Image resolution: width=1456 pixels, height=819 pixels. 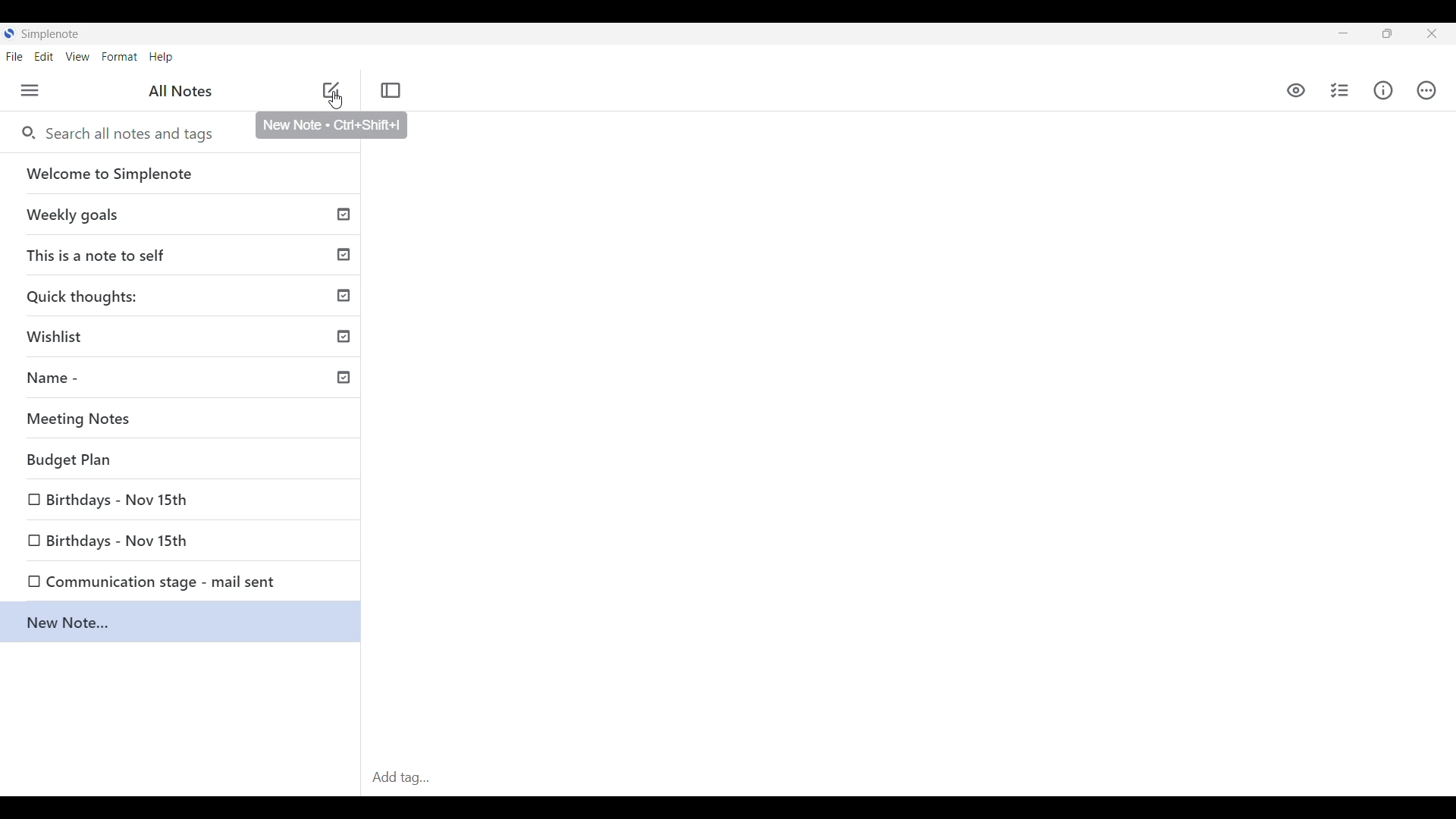 I want to click on Wishlist, so click(x=186, y=334).